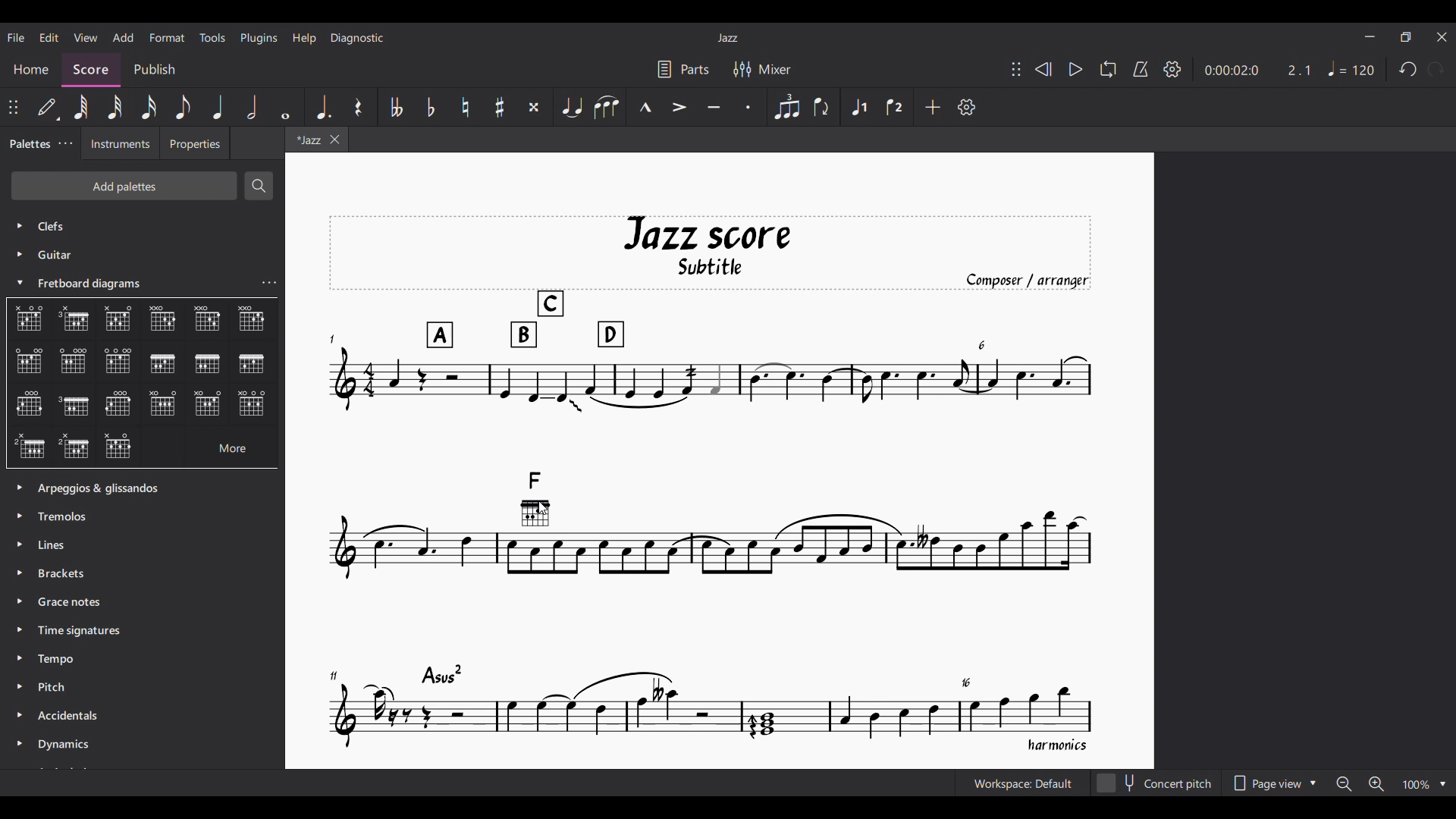 This screenshot has height=819, width=1456. What do you see at coordinates (73, 717) in the screenshot?
I see `Accidentals` at bounding box center [73, 717].